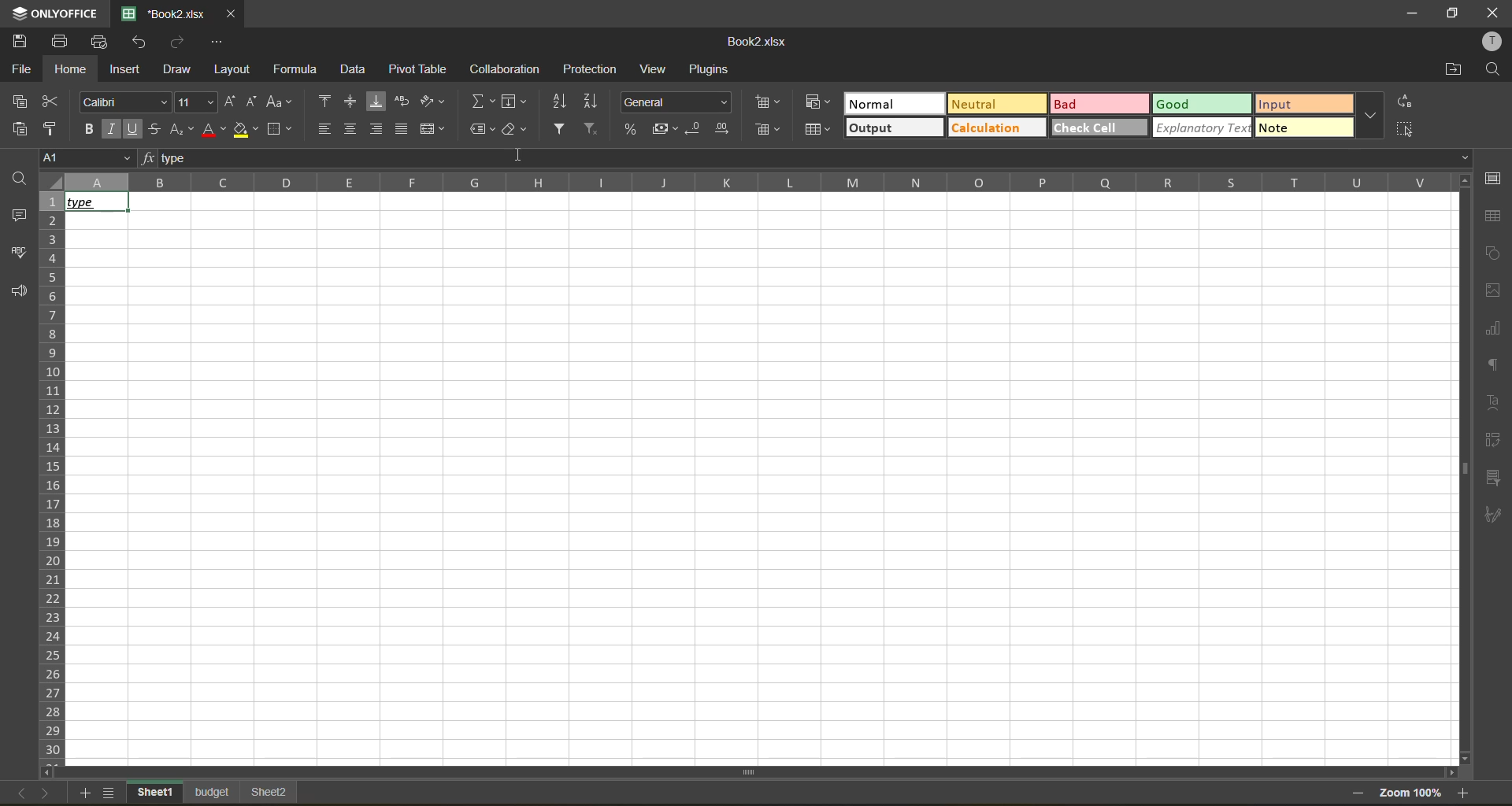 This screenshot has width=1512, height=806. Describe the element at coordinates (1493, 44) in the screenshot. I see `profile` at that location.